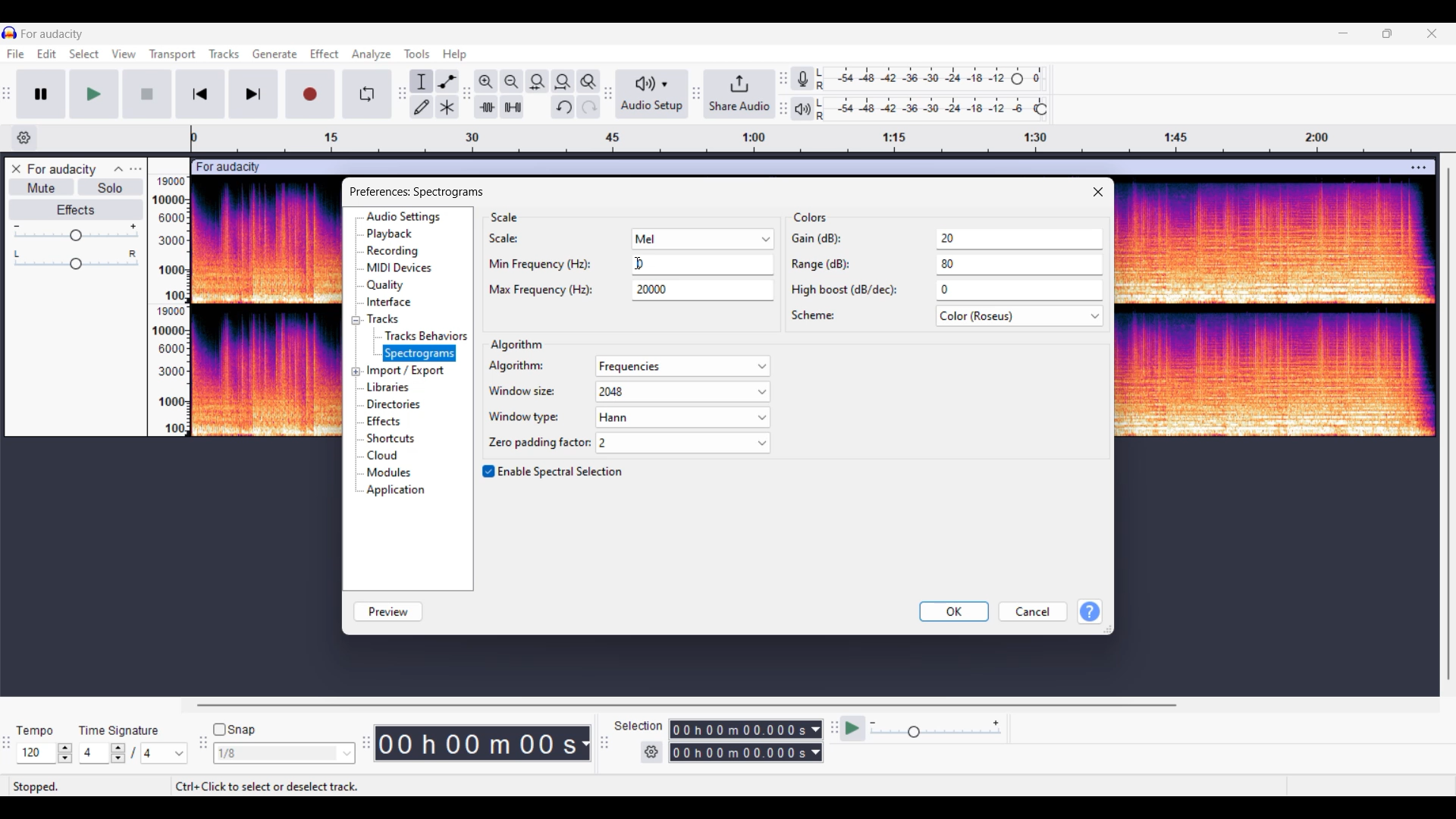 The height and width of the screenshot is (819, 1456). What do you see at coordinates (739, 741) in the screenshot?
I see `Selection duration` at bounding box center [739, 741].